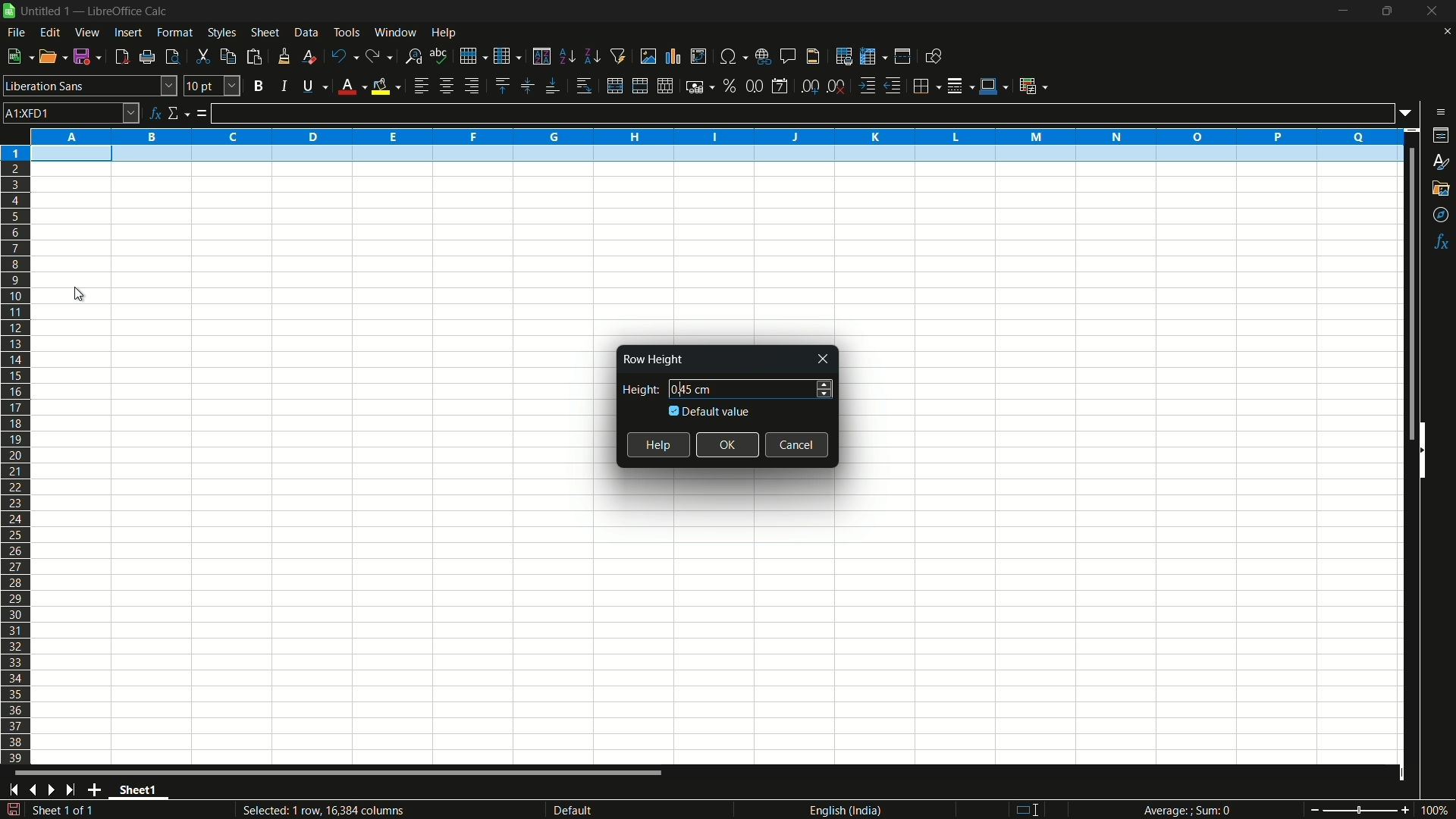 The height and width of the screenshot is (819, 1456). I want to click on rows, so click(16, 454).